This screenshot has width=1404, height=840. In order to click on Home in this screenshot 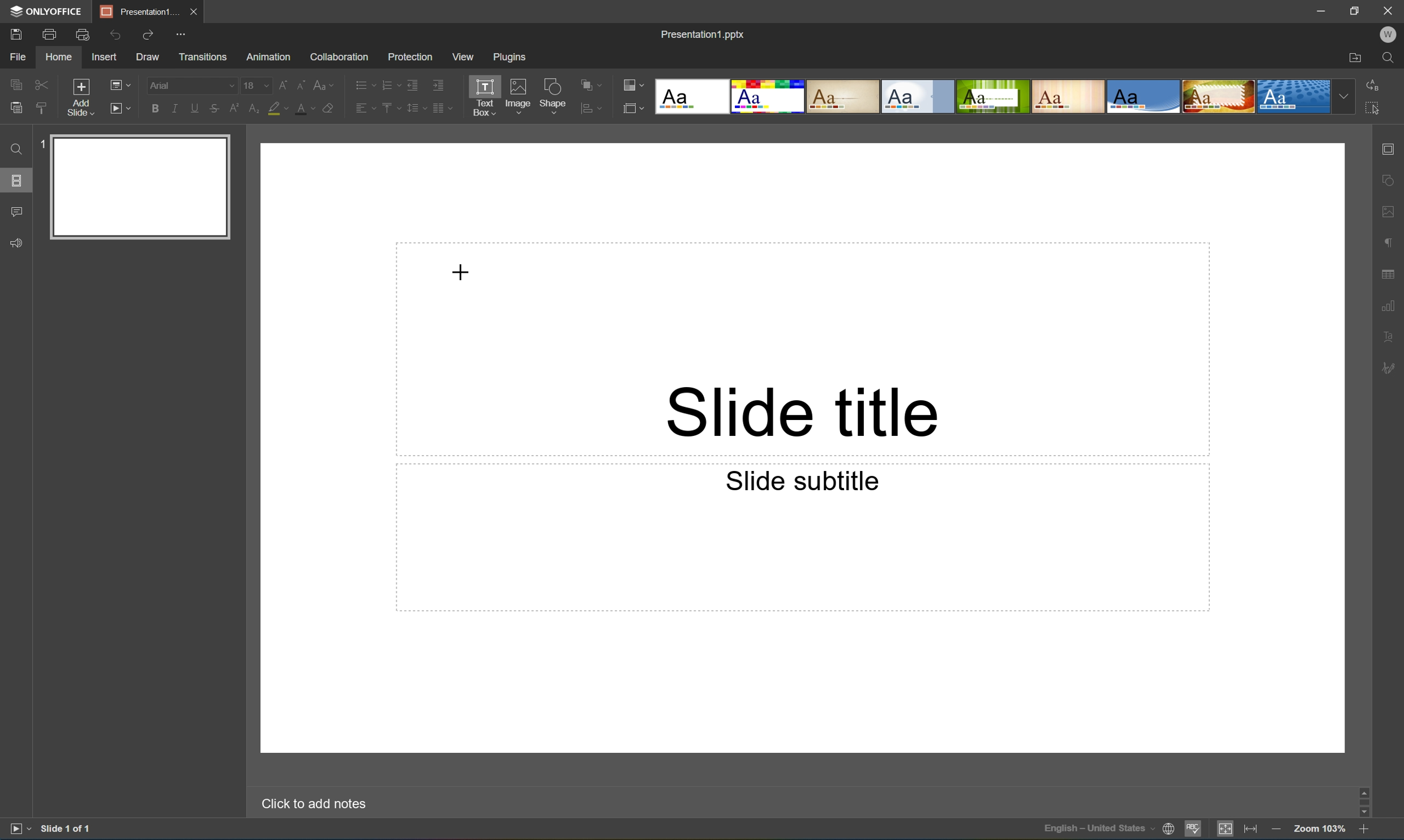, I will do `click(58, 58)`.